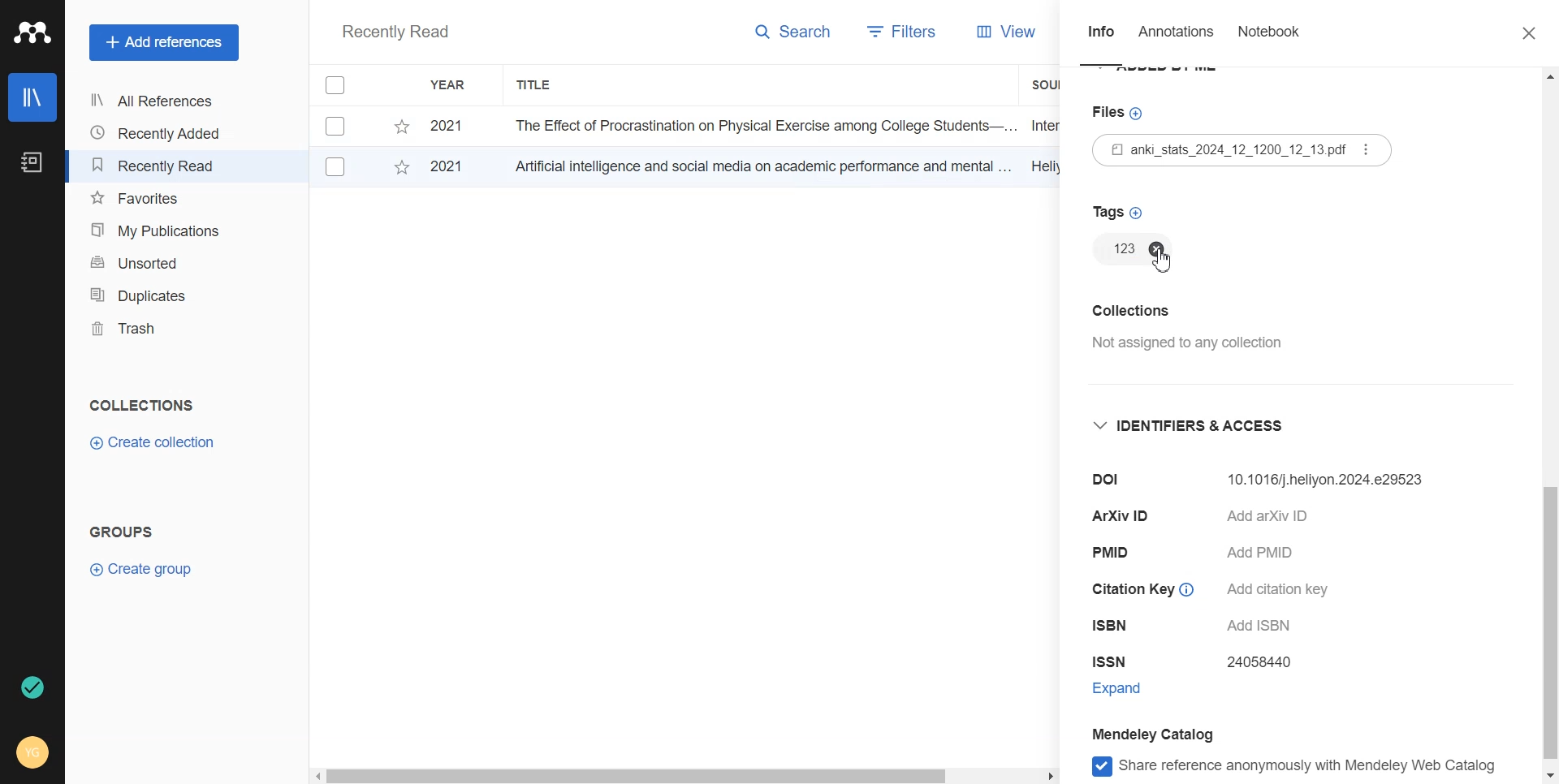  Describe the element at coordinates (1521, 34) in the screenshot. I see `Close ` at that location.